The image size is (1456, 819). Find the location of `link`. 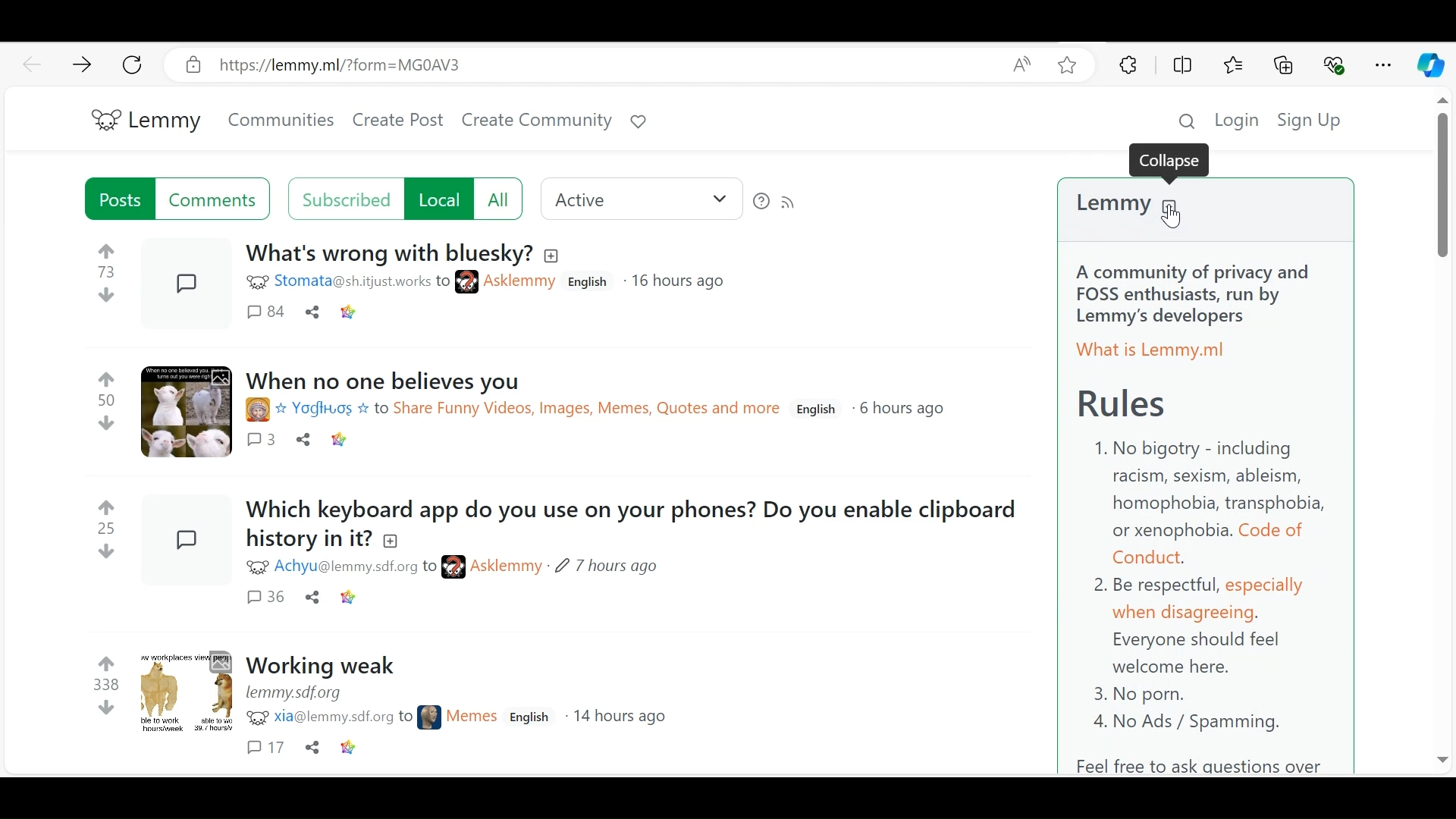

link is located at coordinates (303, 695).